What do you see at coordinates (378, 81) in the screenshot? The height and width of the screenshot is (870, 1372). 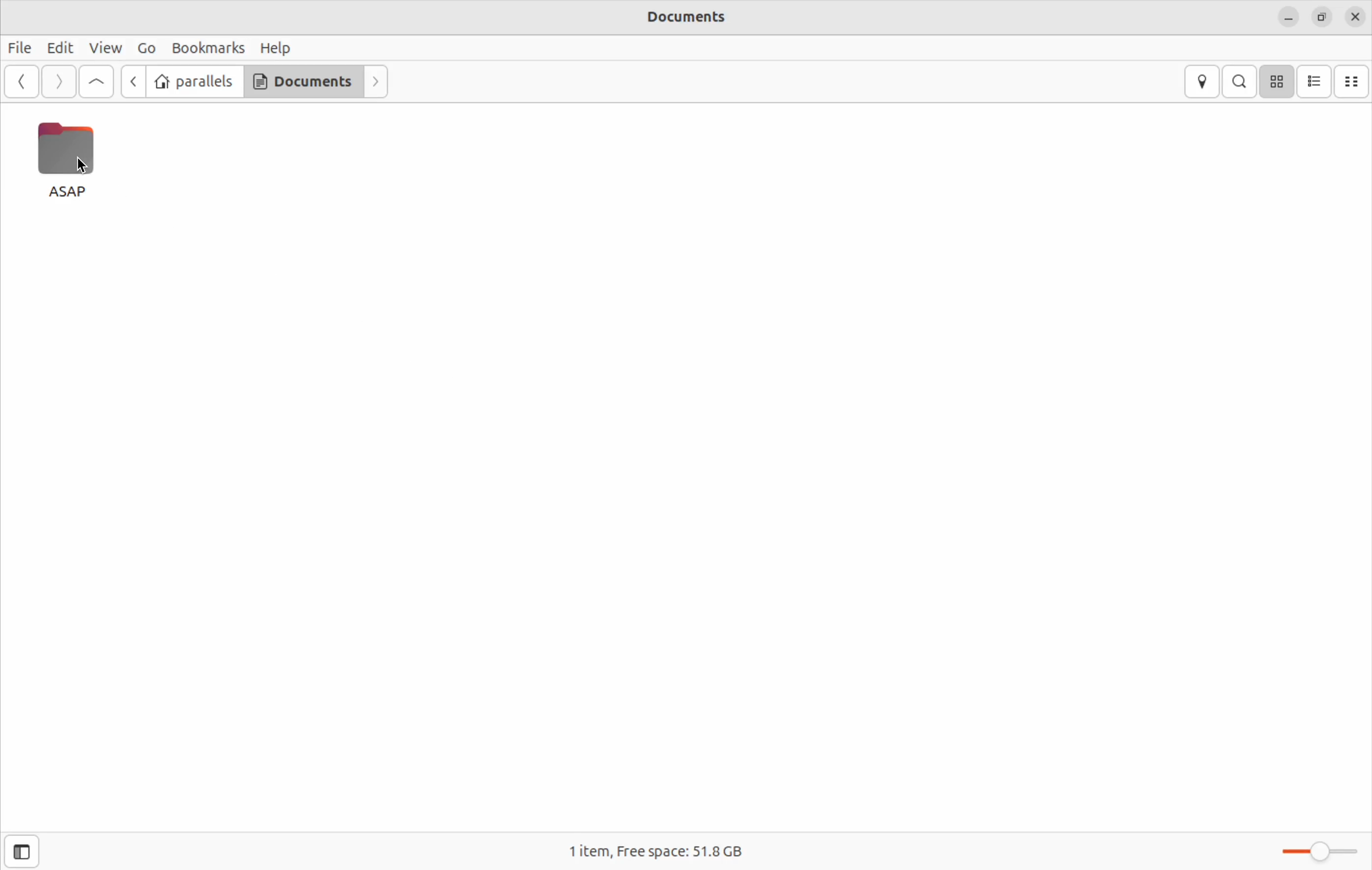 I see `forward` at bounding box center [378, 81].